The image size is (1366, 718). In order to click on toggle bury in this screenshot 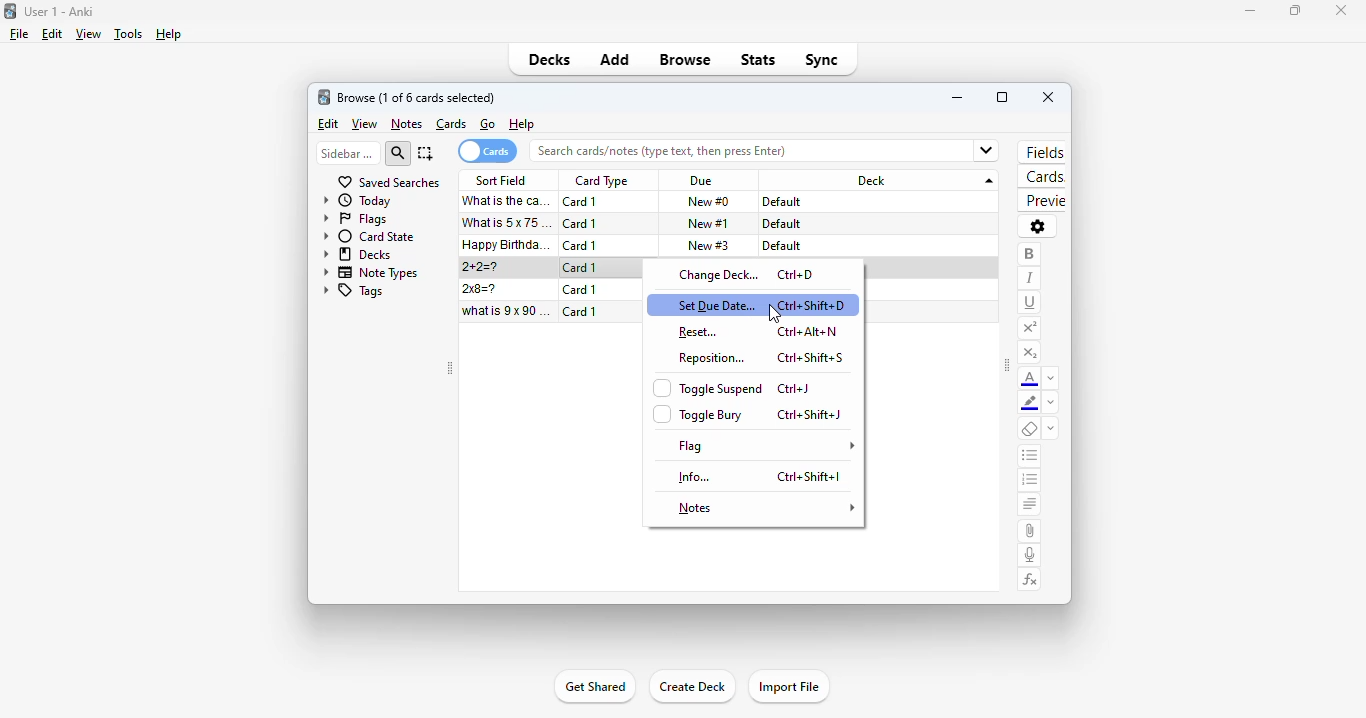, I will do `click(698, 414)`.